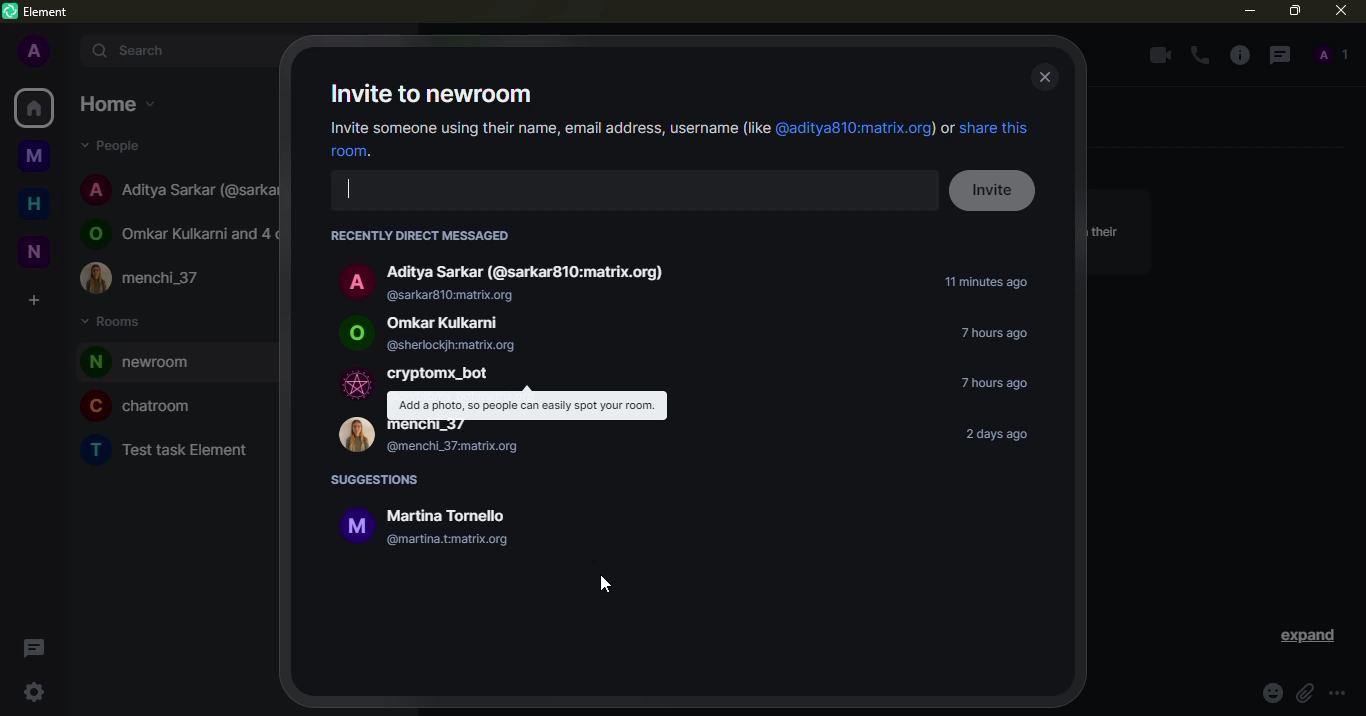 This screenshot has height=716, width=1366. I want to click on suggestions, so click(375, 479).